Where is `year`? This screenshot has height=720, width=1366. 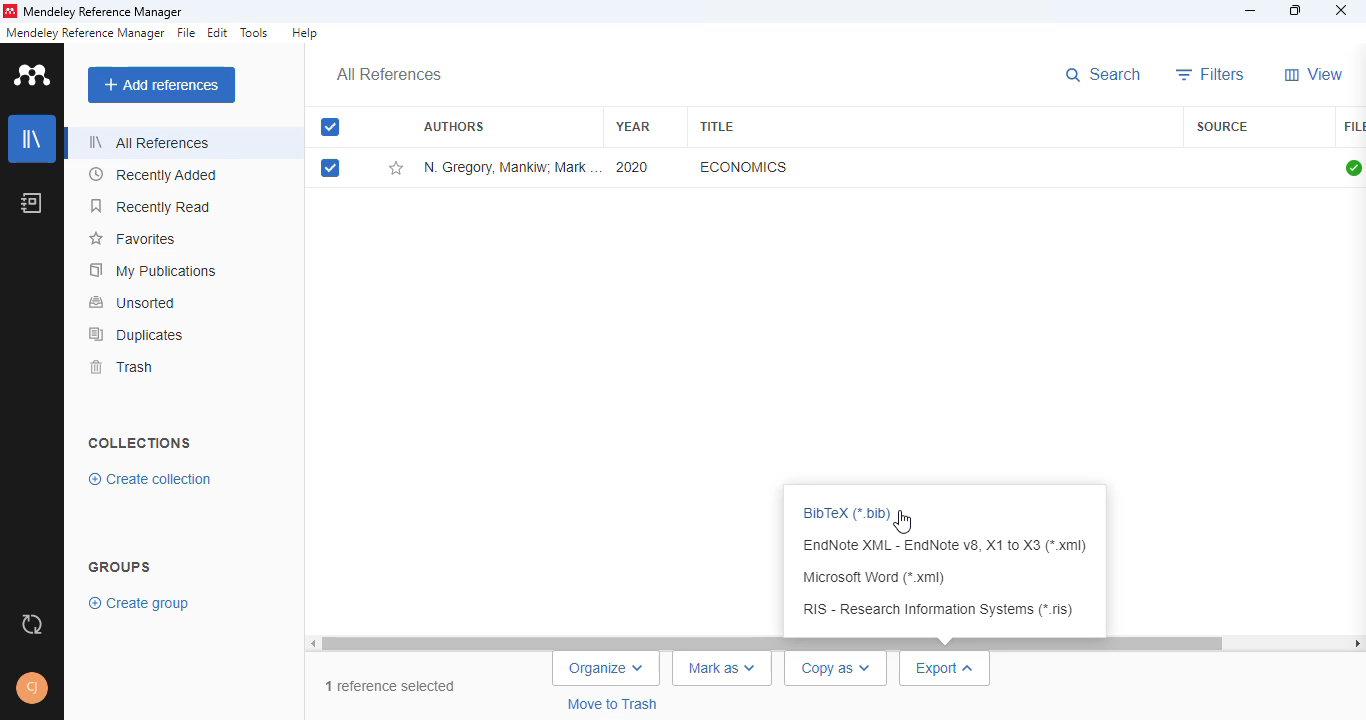
year is located at coordinates (633, 127).